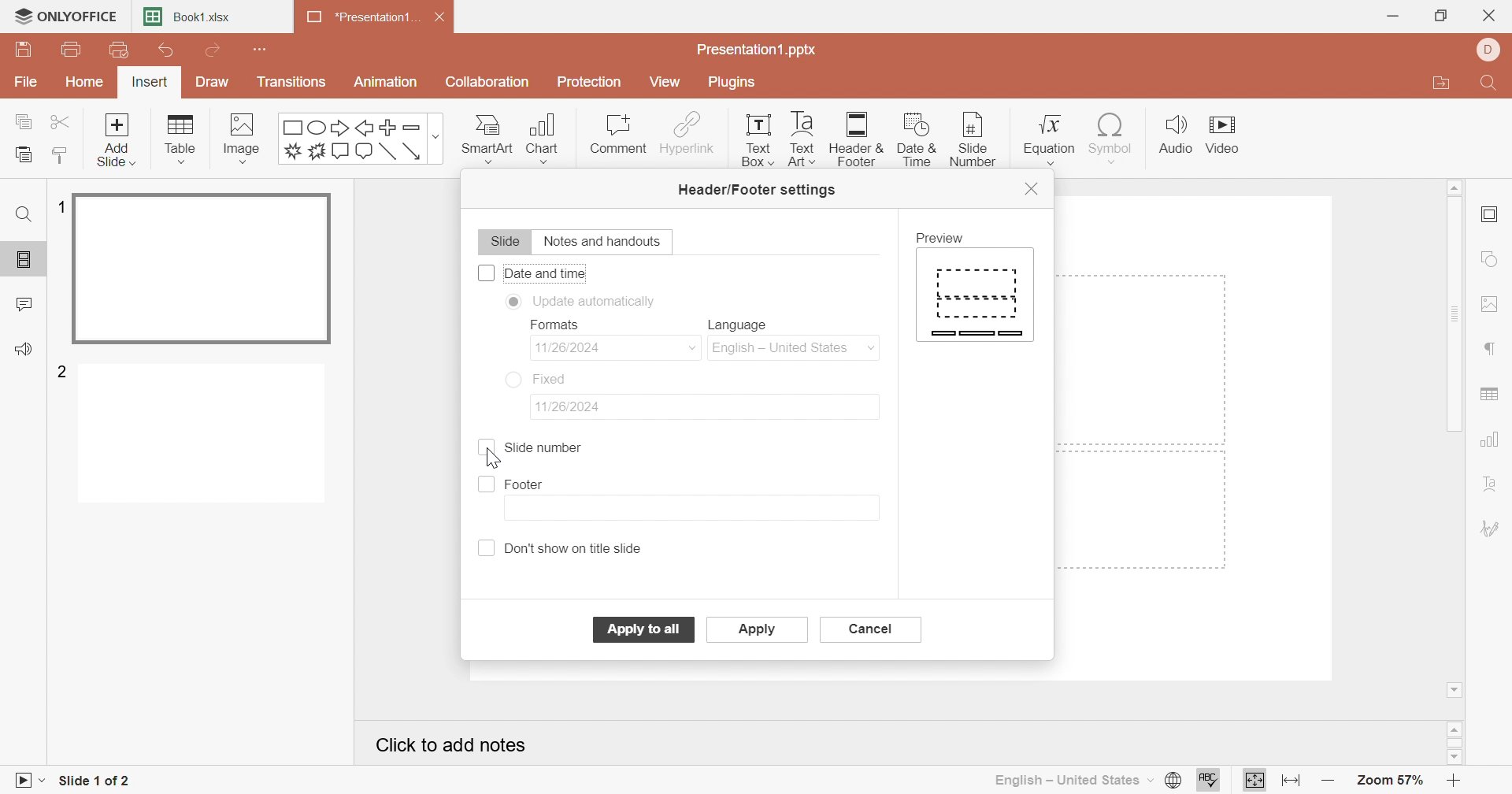 The image size is (1512, 794). What do you see at coordinates (206, 436) in the screenshot?
I see `Slide 2` at bounding box center [206, 436].